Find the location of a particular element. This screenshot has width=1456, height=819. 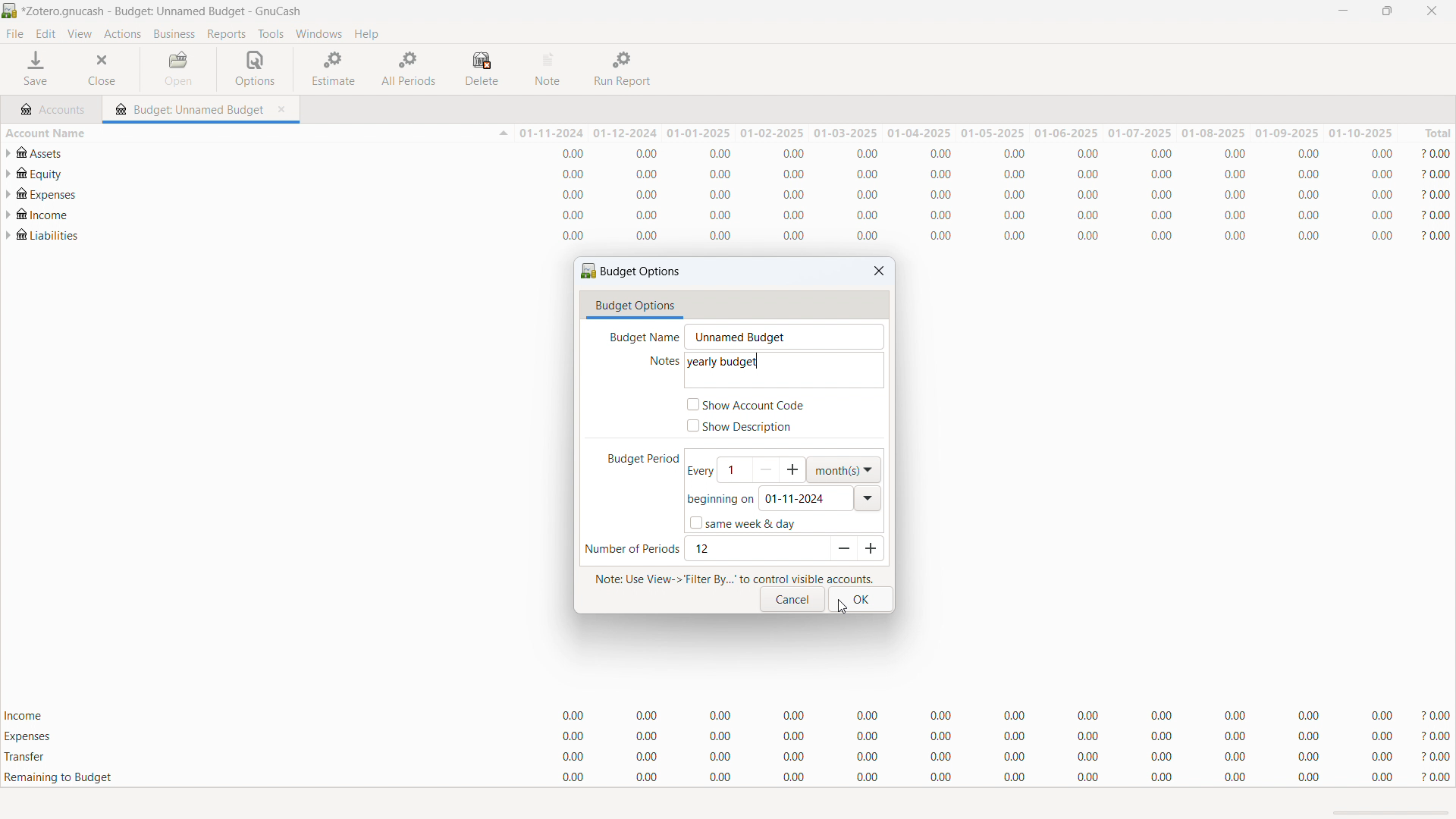

file is located at coordinates (14, 34).